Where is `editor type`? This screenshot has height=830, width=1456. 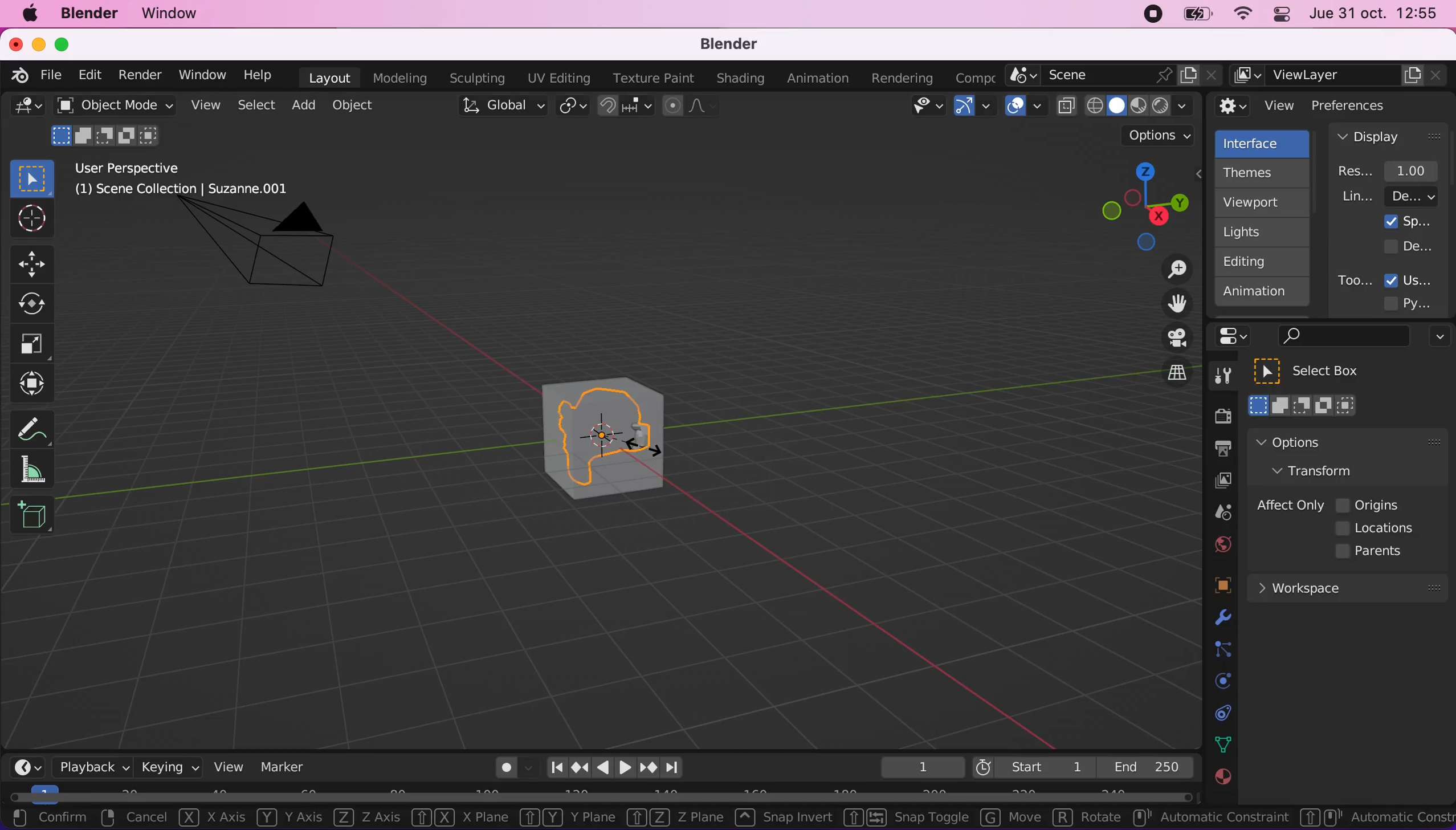 editor type is located at coordinates (23, 758).